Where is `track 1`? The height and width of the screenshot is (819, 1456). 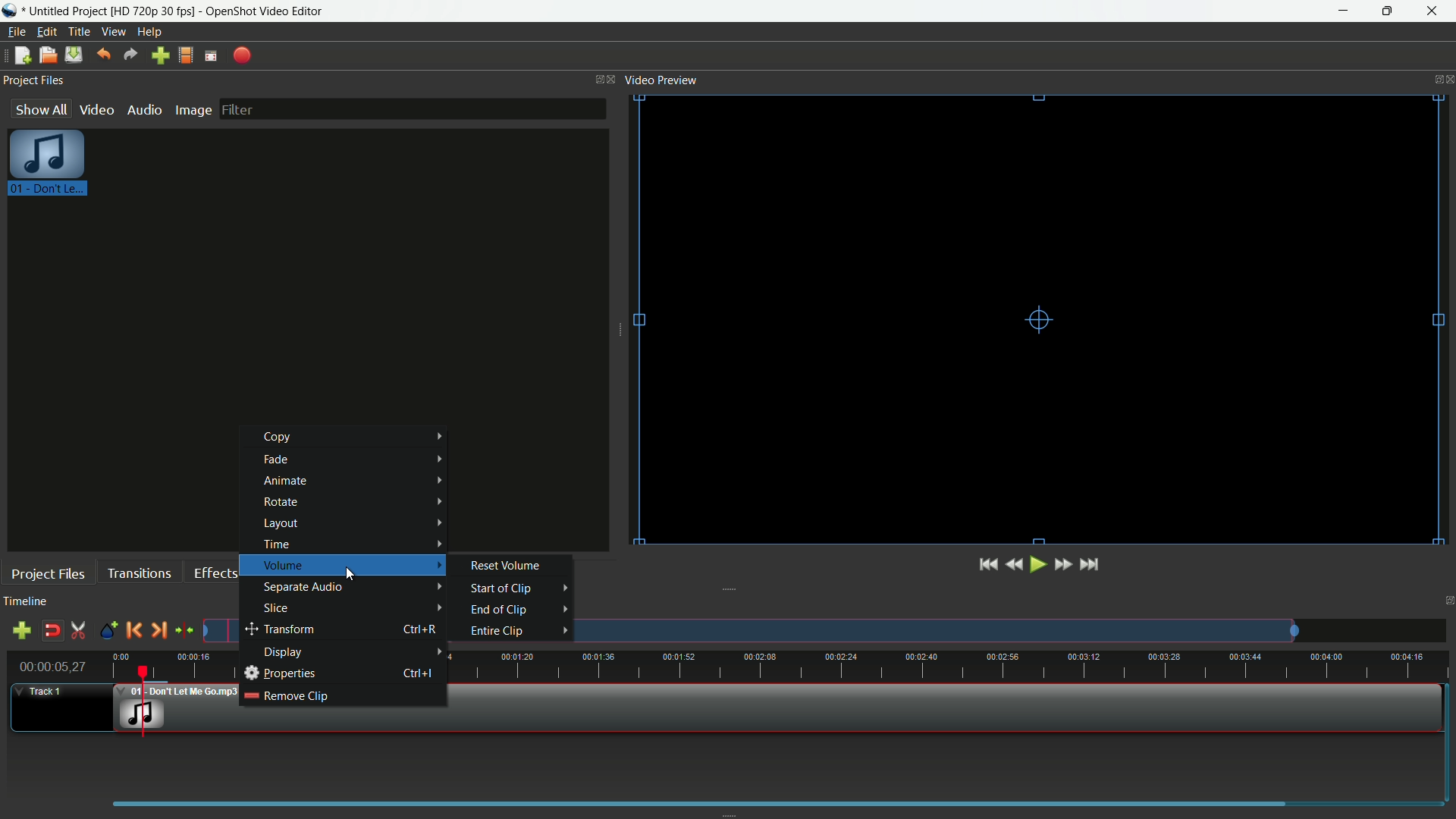
track 1 is located at coordinates (39, 692).